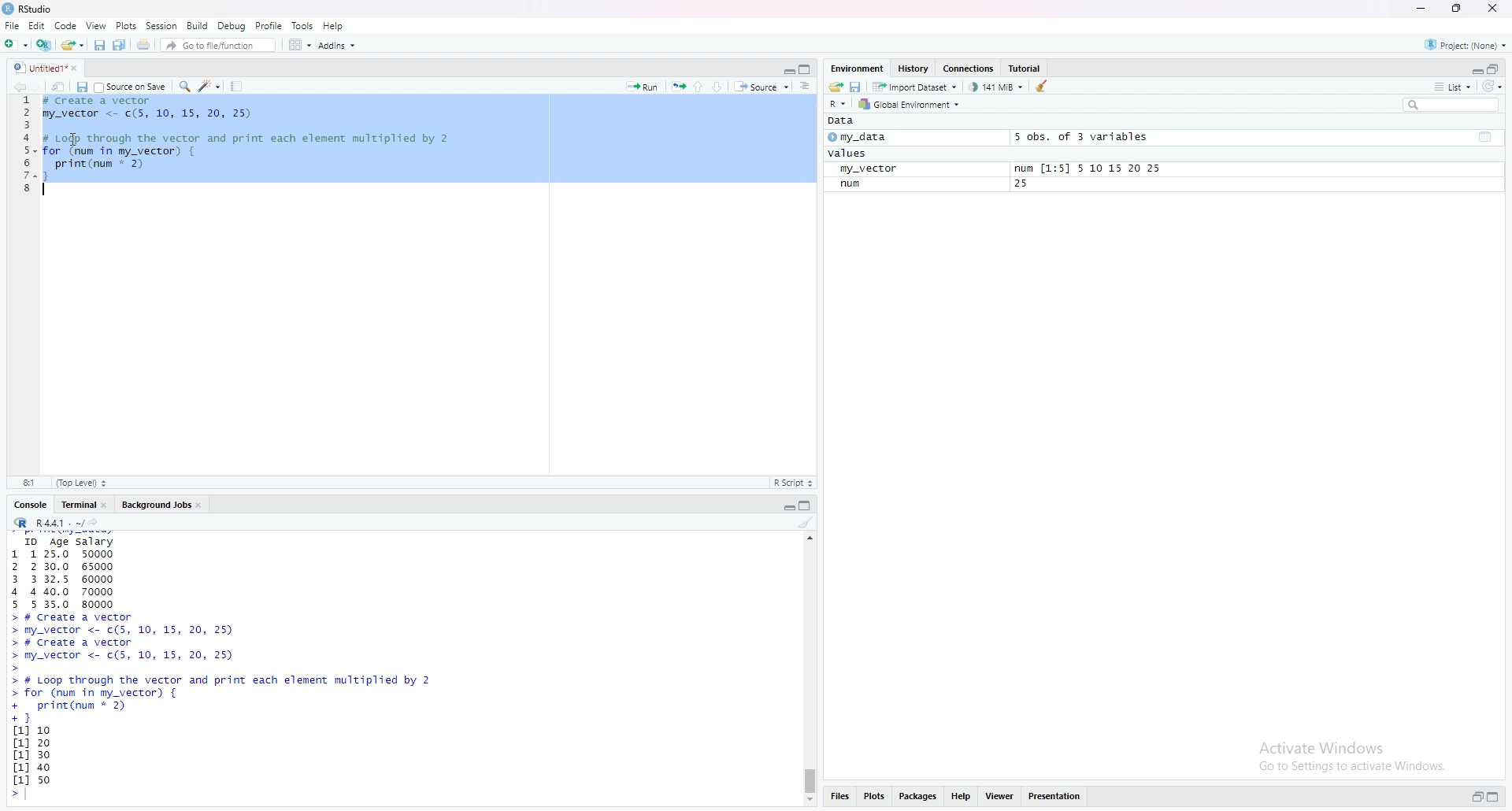  Describe the element at coordinates (807, 69) in the screenshot. I see `collapse` at that location.